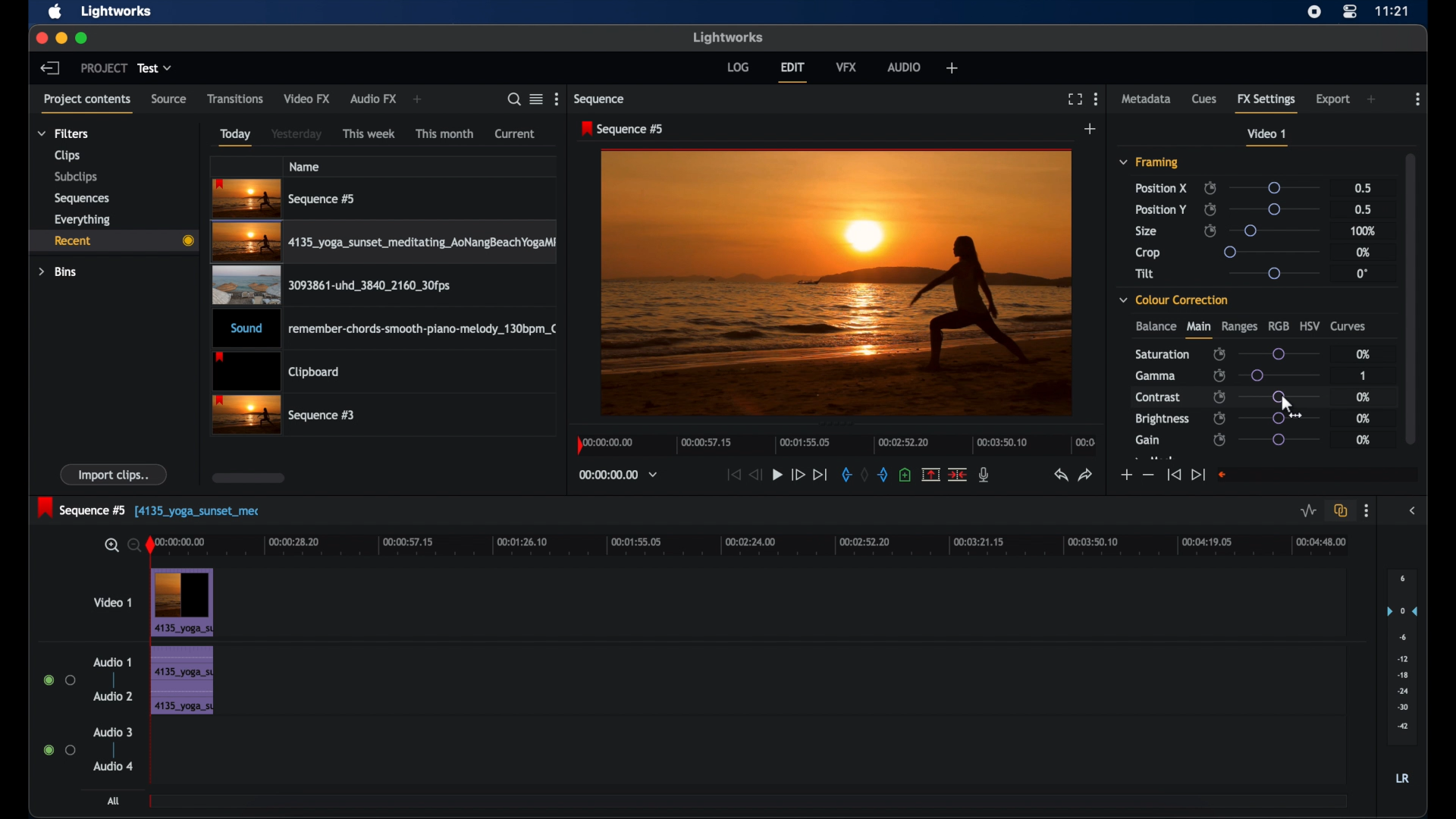 The width and height of the screenshot is (1456, 819). I want to click on add, so click(417, 99).